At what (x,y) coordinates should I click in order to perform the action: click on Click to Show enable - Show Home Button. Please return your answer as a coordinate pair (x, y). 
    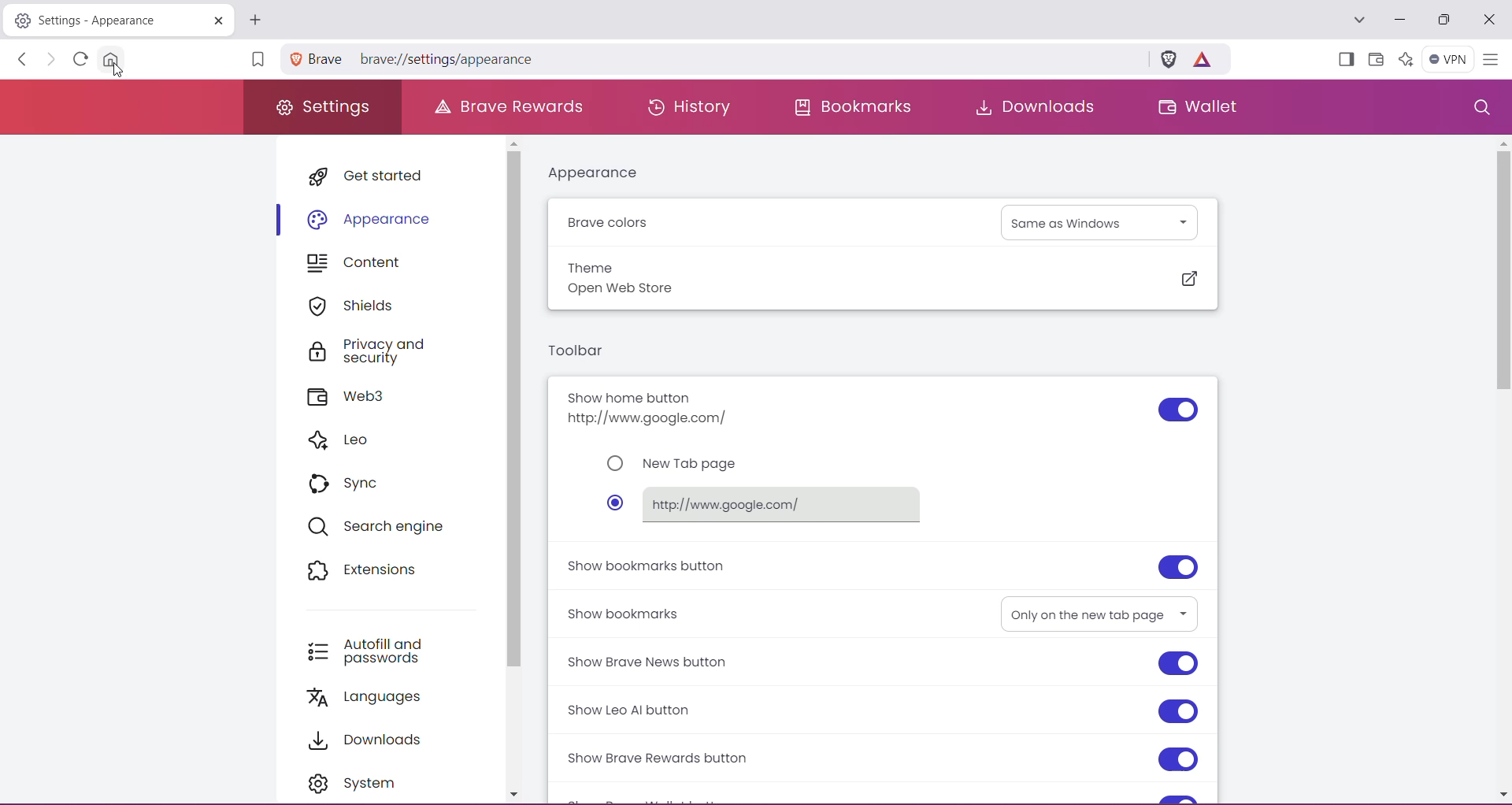
    Looking at the image, I should click on (1177, 410).